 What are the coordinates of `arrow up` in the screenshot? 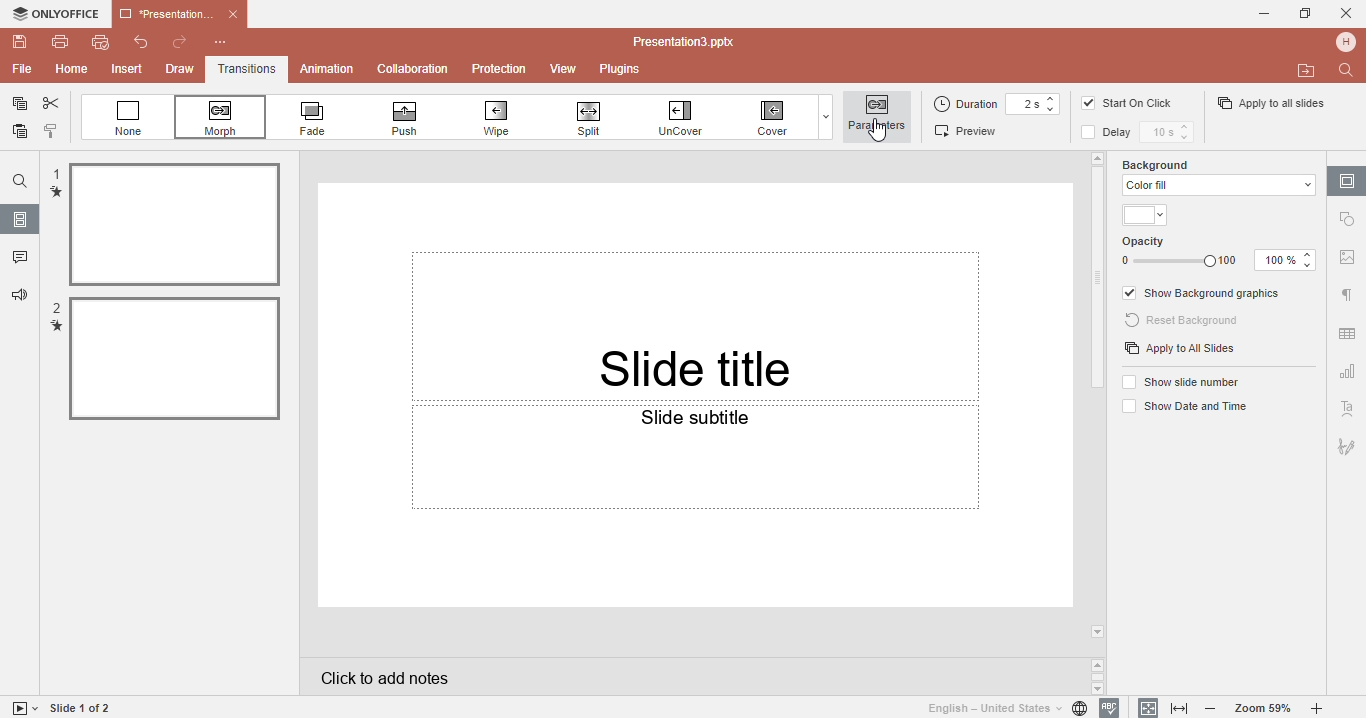 It's located at (1097, 157).